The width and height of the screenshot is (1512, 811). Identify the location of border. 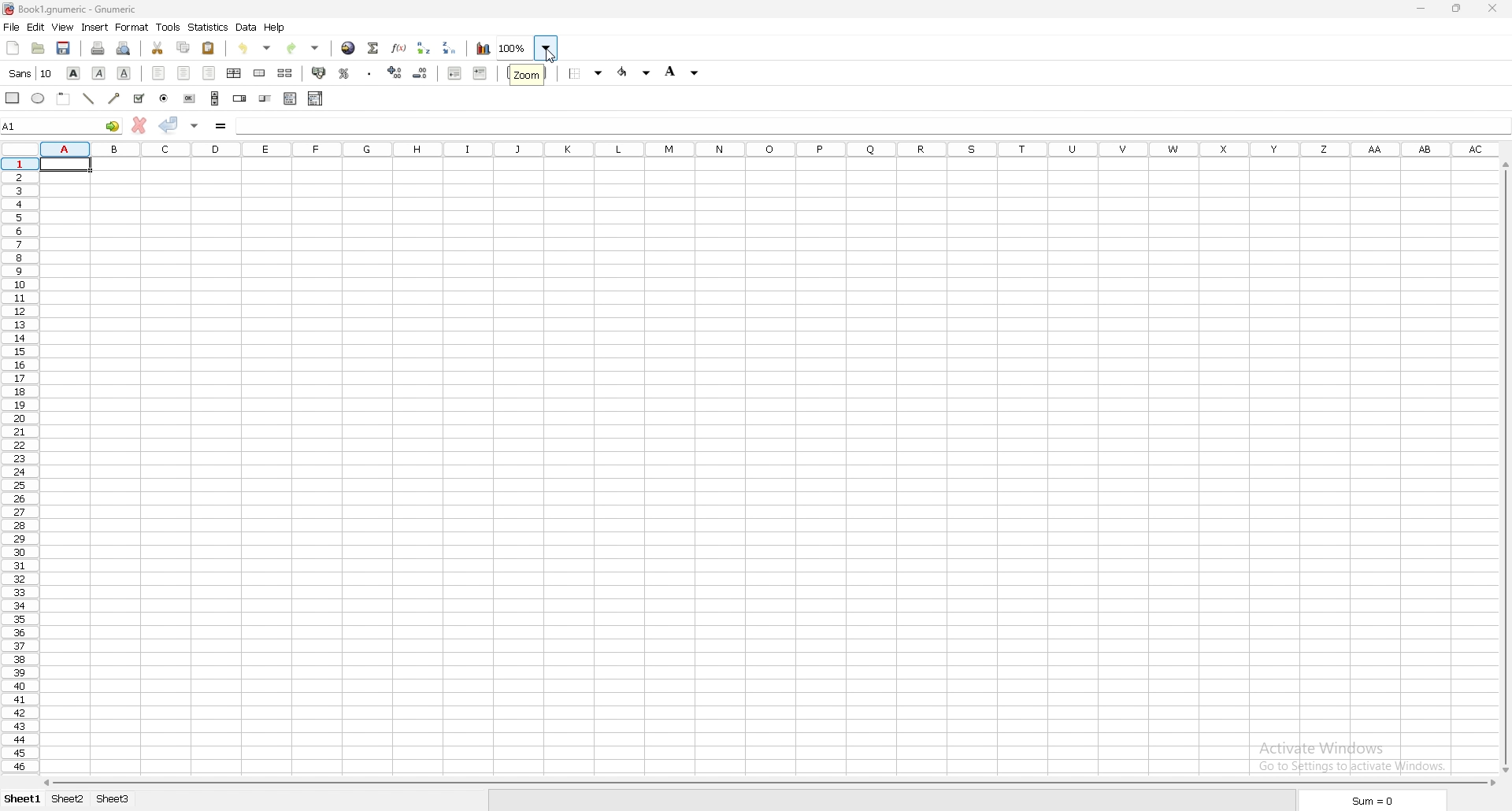
(578, 72).